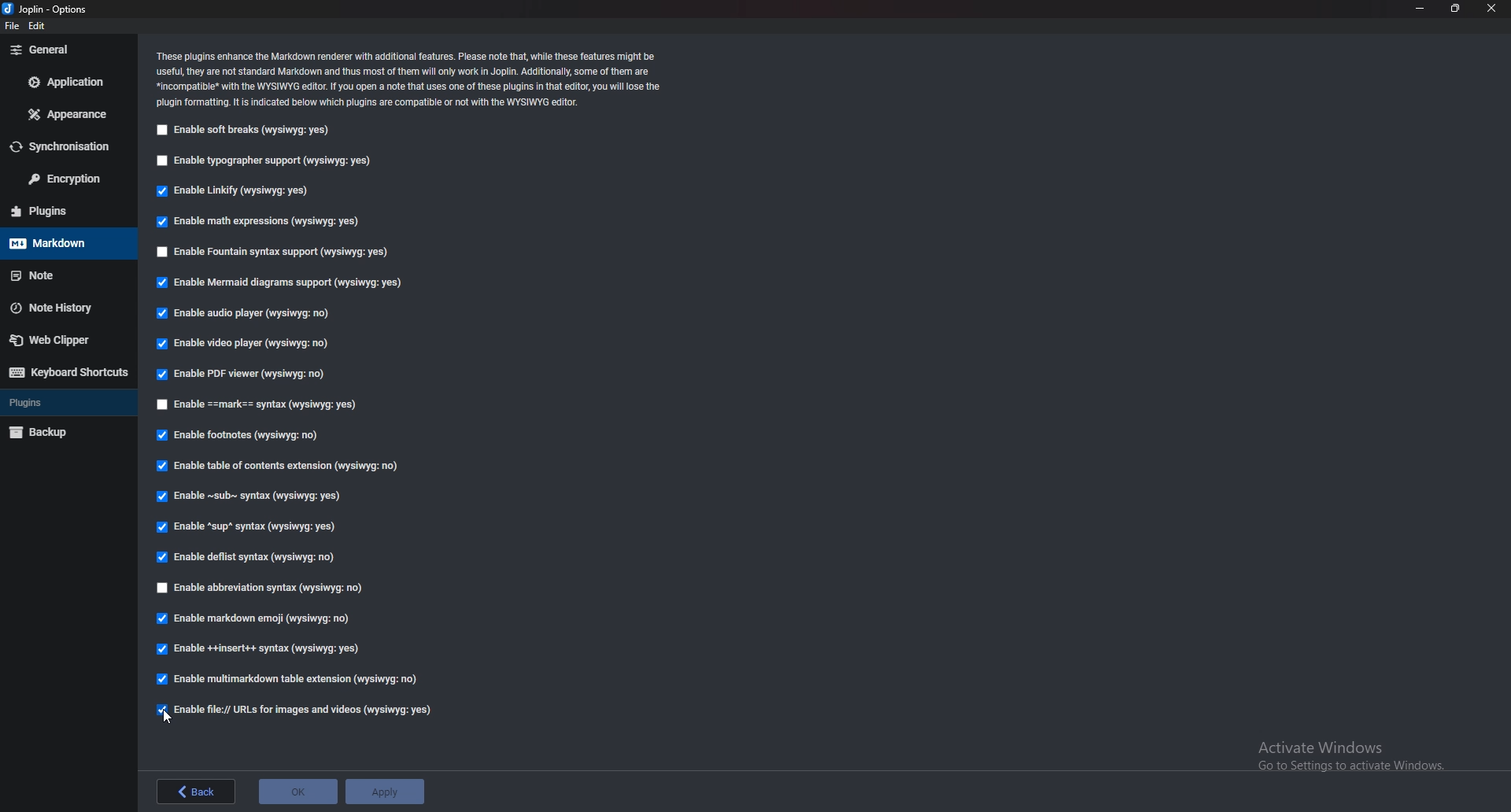 This screenshot has height=812, width=1511. Describe the element at coordinates (64, 113) in the screenshot. I see `Appearance` at that location.